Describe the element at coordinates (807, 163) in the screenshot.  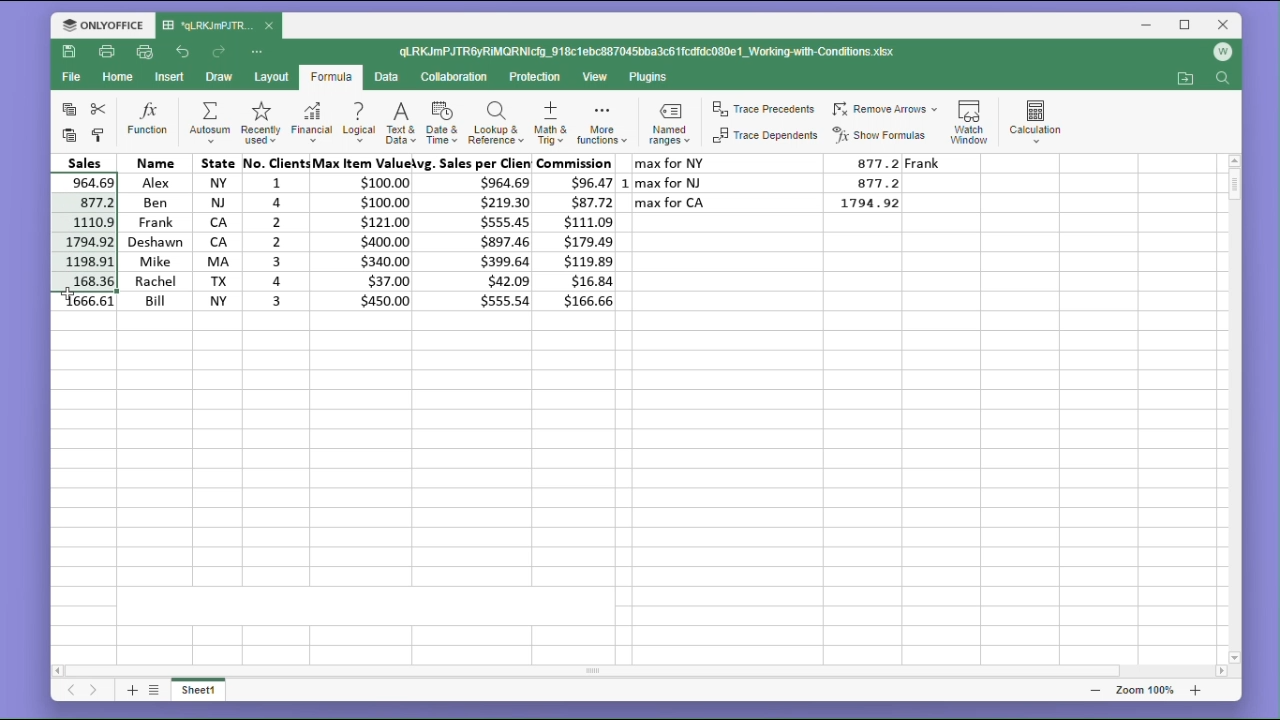
I see `max for NY 877.2 Frank` at that location.